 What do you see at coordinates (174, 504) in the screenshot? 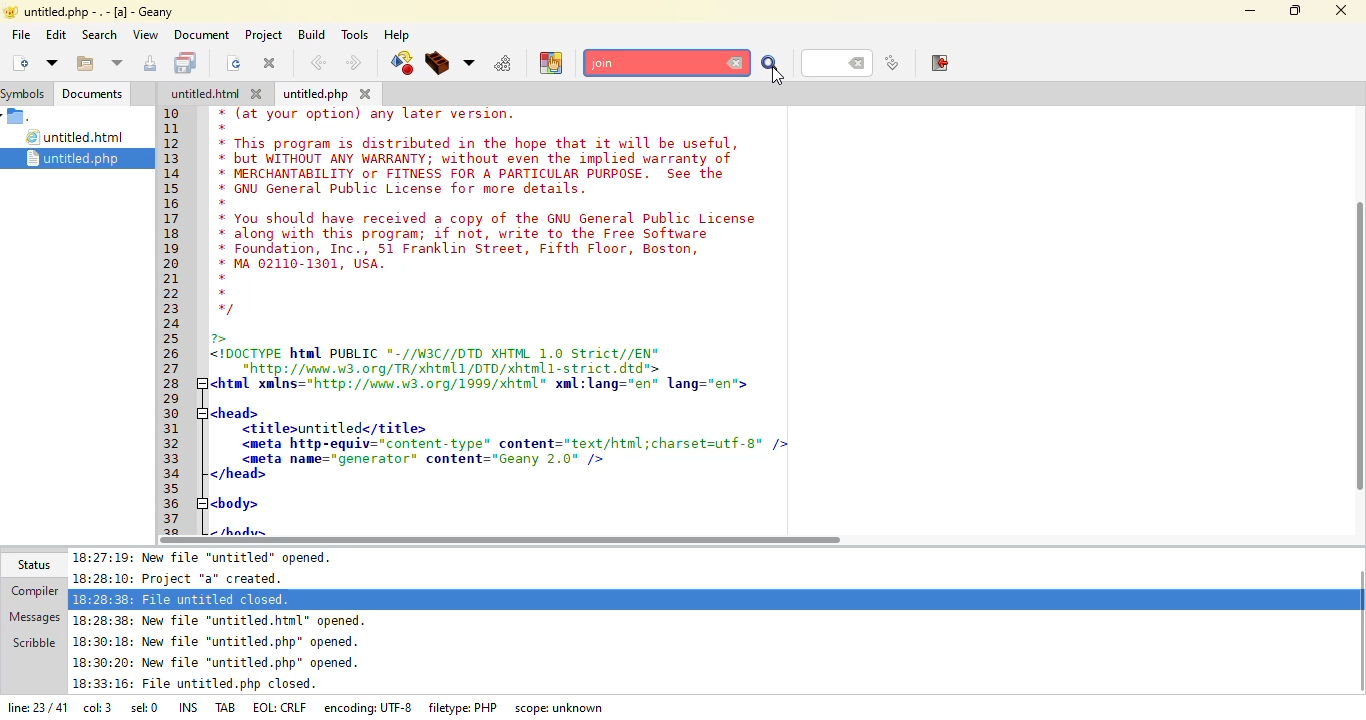
I see `36` at bounding box center [174, 504].